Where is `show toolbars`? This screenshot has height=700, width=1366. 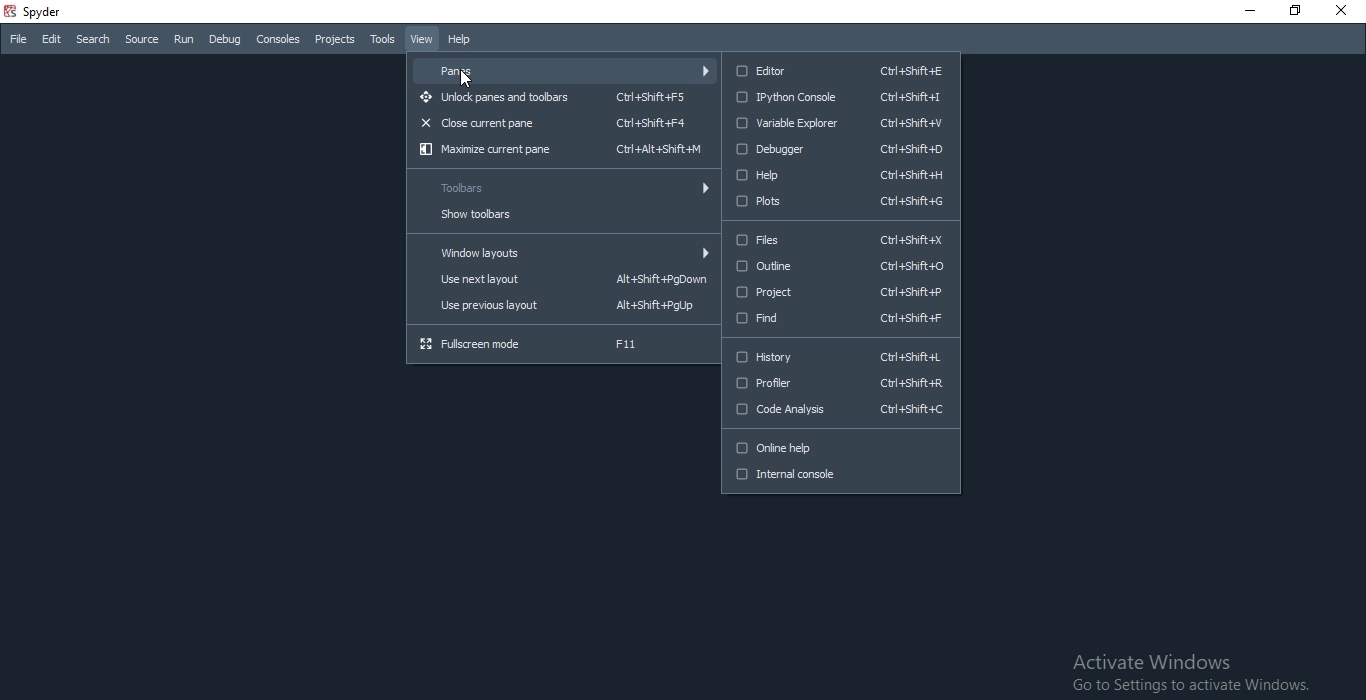
show toolbars is located at coordinates (561, 215).